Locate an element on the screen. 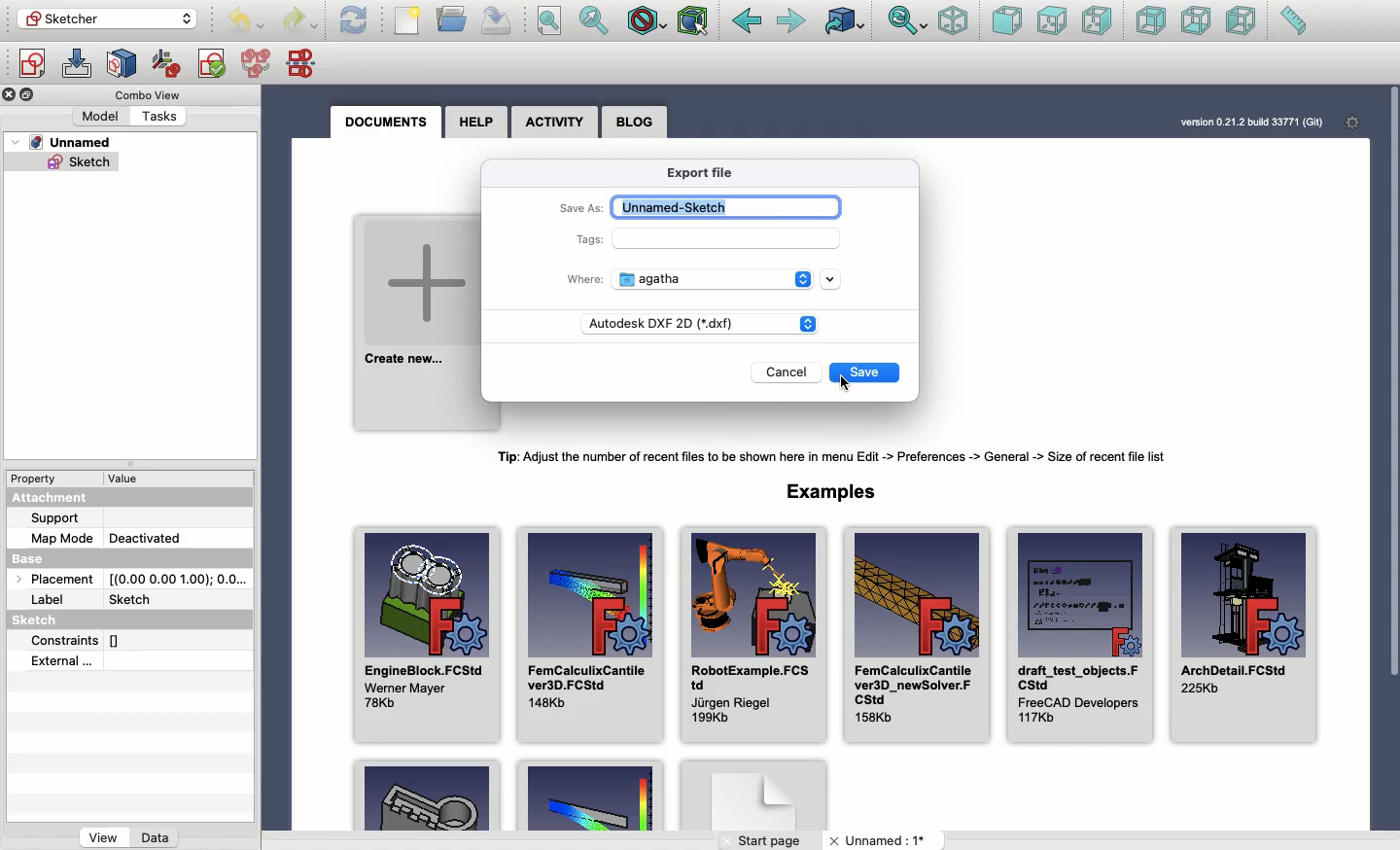  View is located at coordinates (102, 836).